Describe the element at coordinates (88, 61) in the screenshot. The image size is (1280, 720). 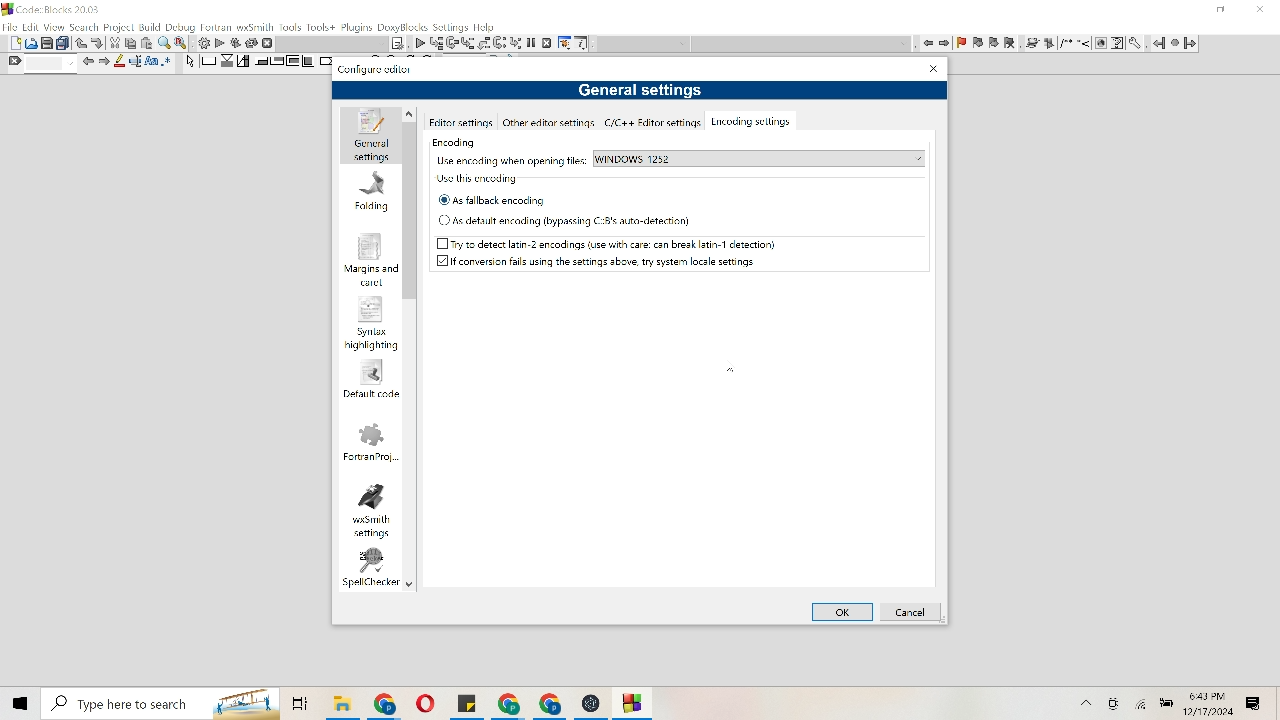
I see `Move left` at that location.